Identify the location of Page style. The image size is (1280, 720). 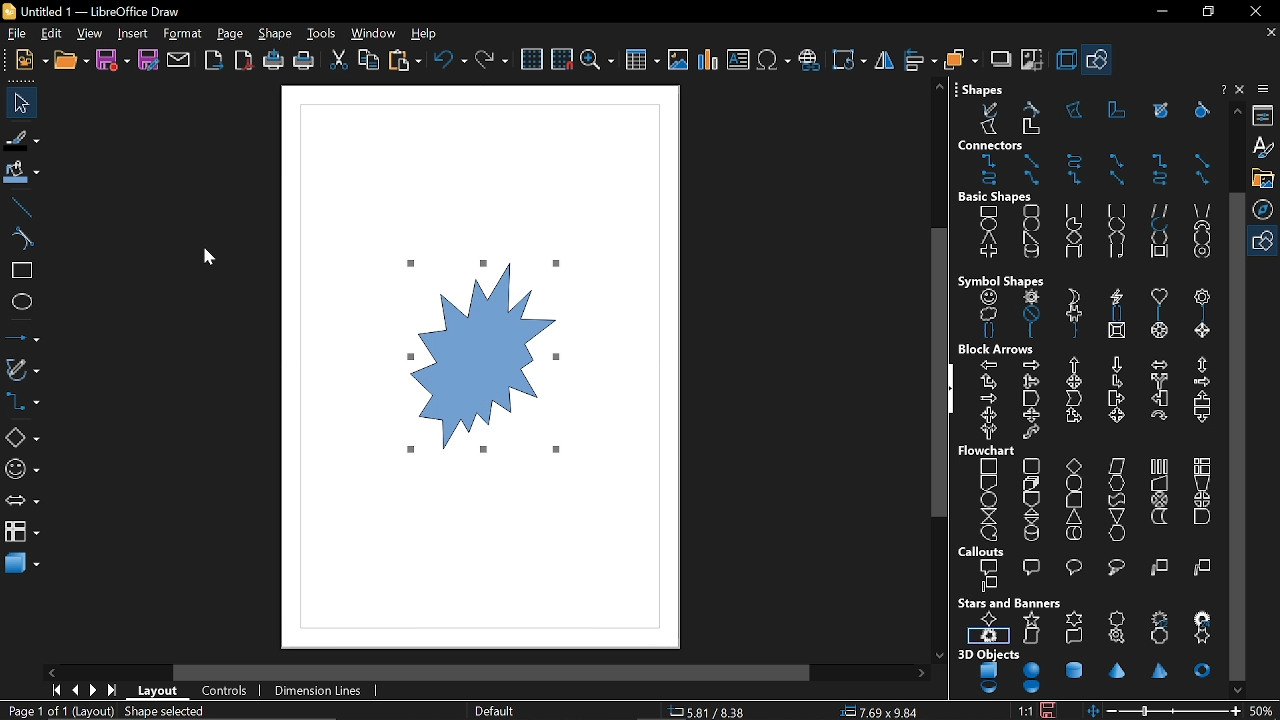
(496, 710).